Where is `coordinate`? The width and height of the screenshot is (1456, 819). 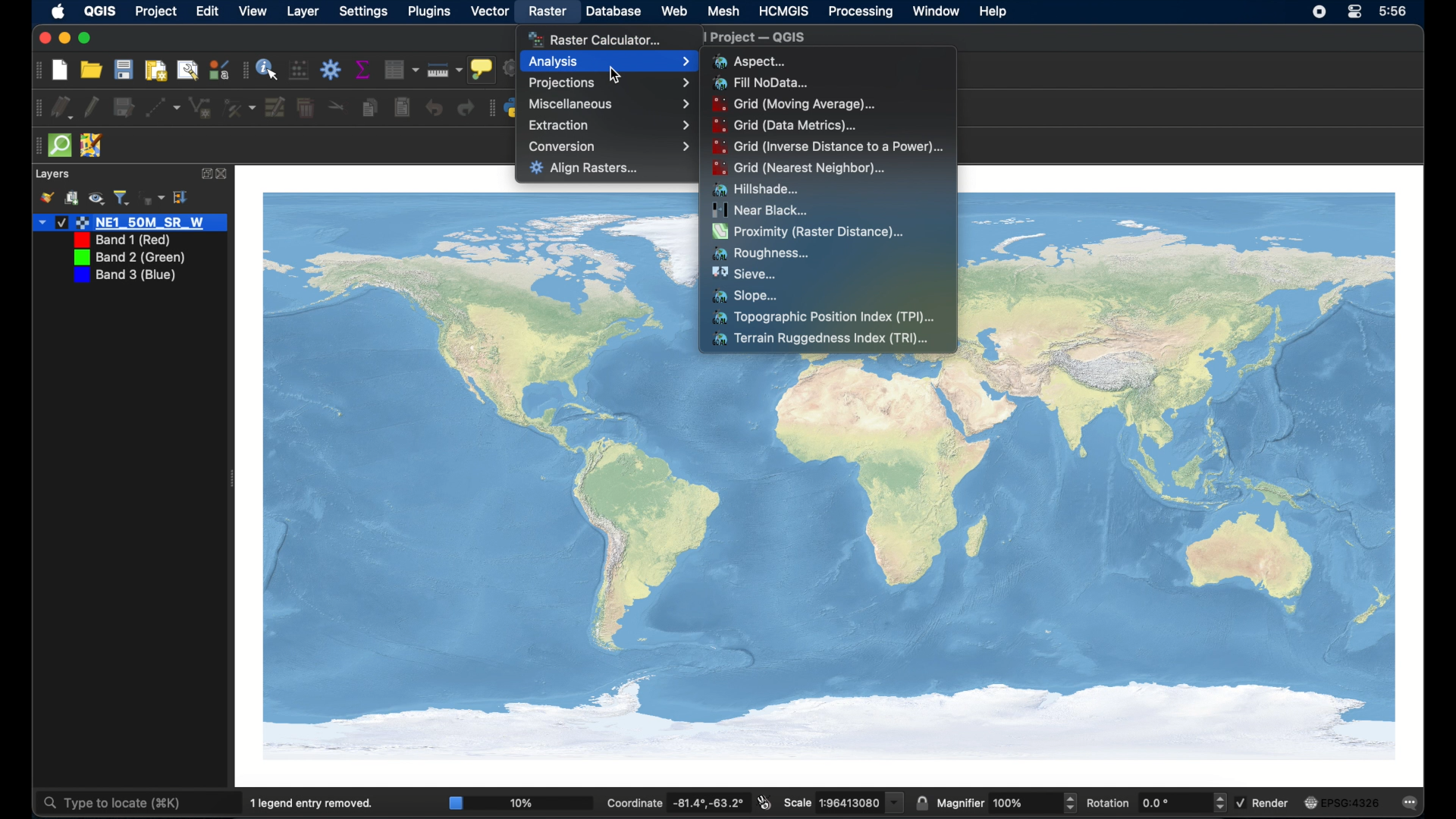 coordinate is located at coordinates (675, 802).